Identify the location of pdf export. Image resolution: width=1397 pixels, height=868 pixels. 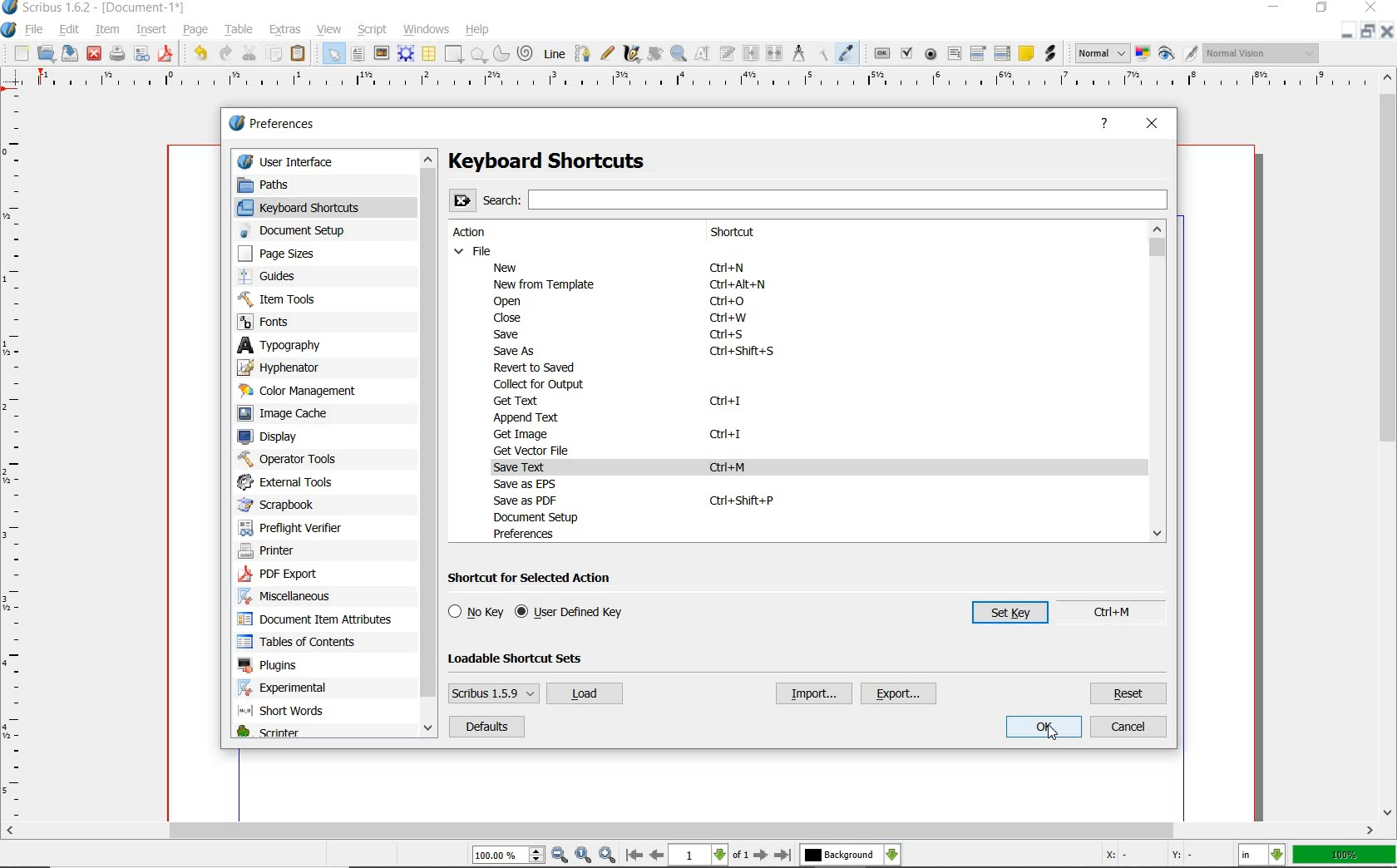
(297, 575).